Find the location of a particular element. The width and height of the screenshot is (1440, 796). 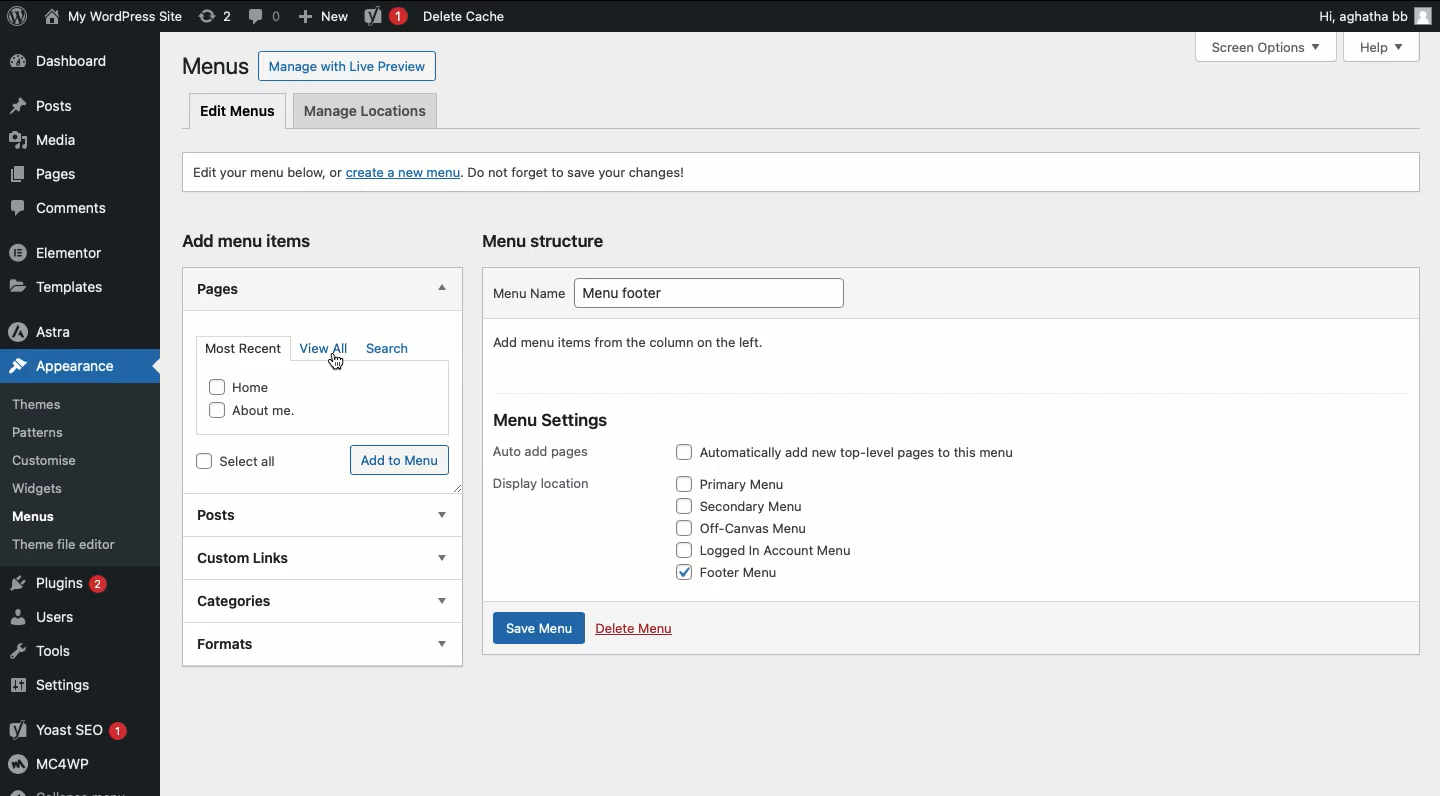

Help is located at coordinates (1386, 45).